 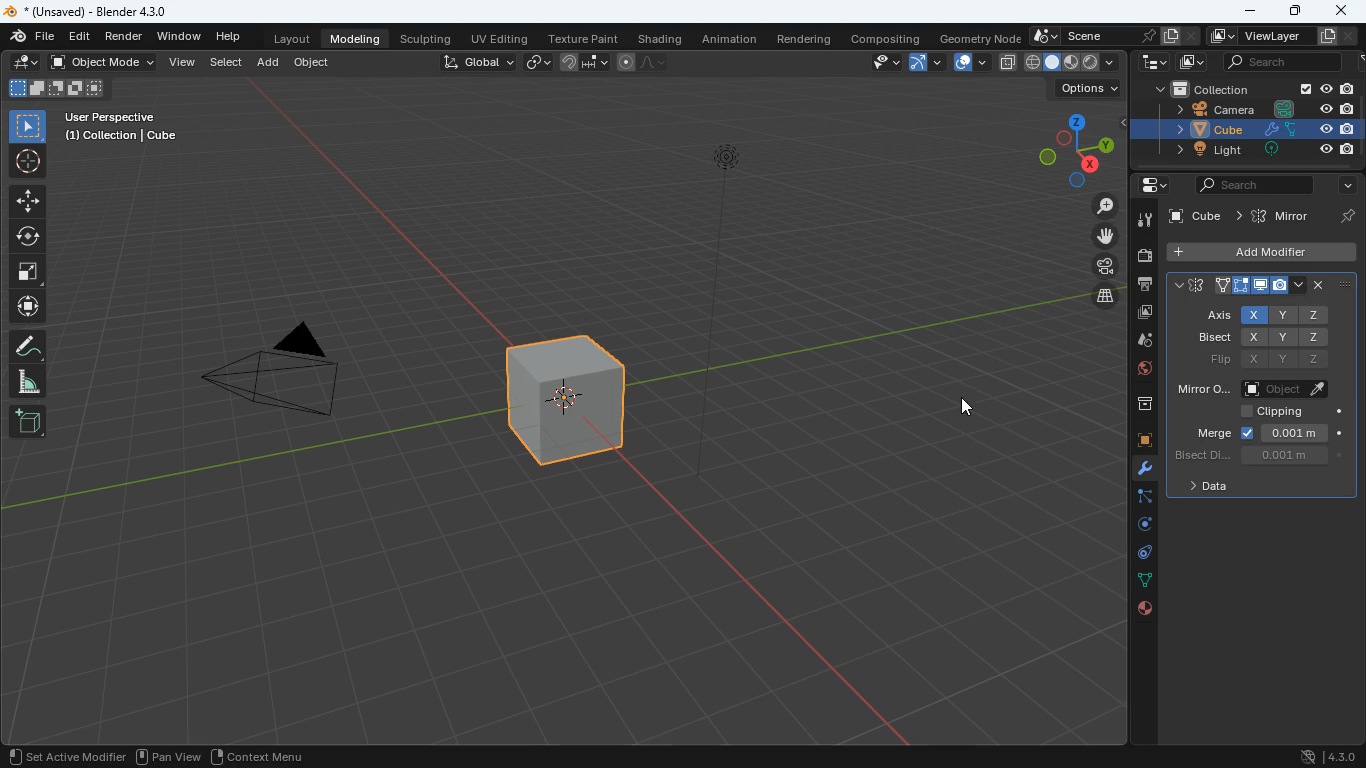 I want to click on aim, so click(x=26, y=165).